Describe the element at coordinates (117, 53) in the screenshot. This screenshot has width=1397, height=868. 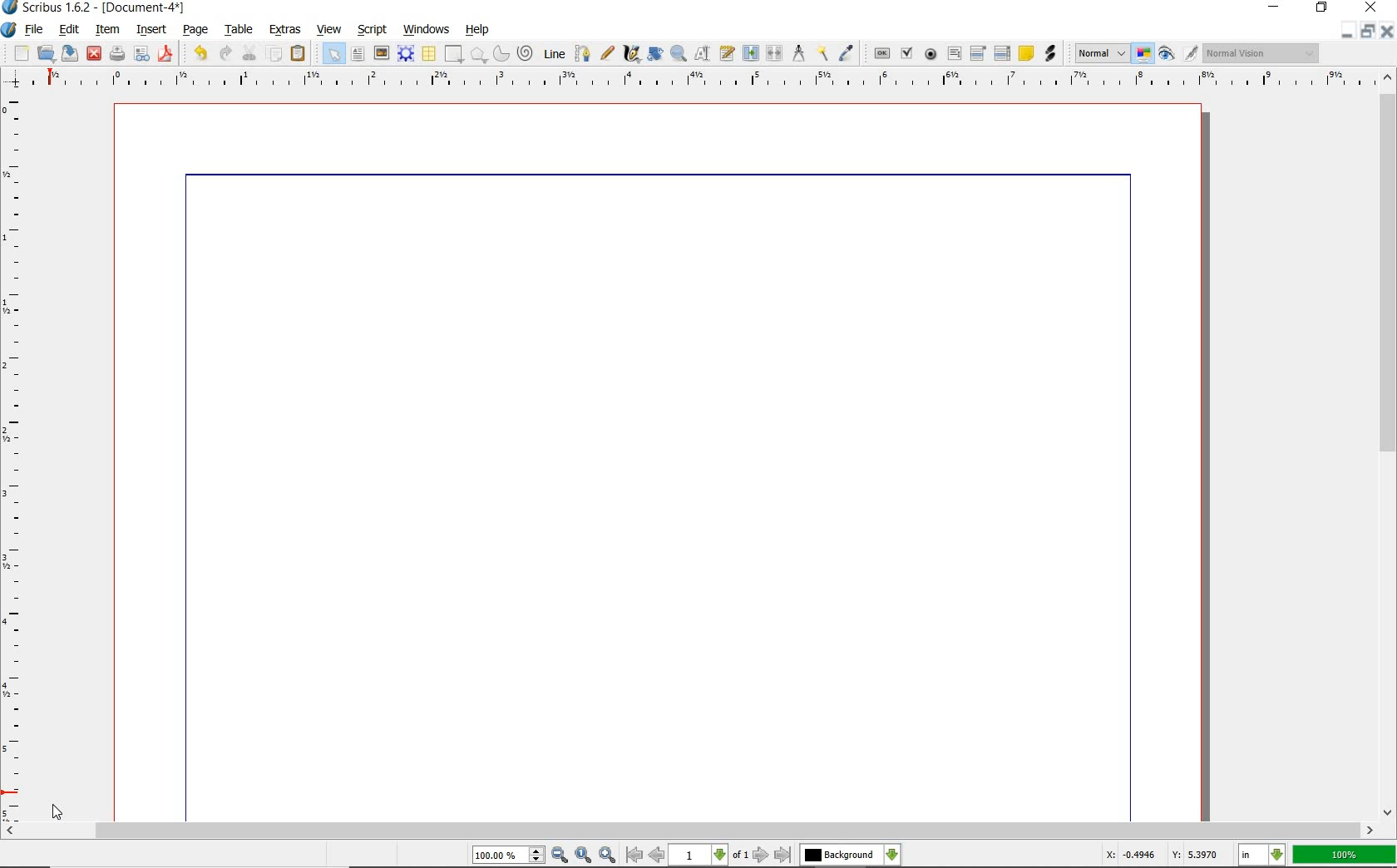
I see `print` at that location.